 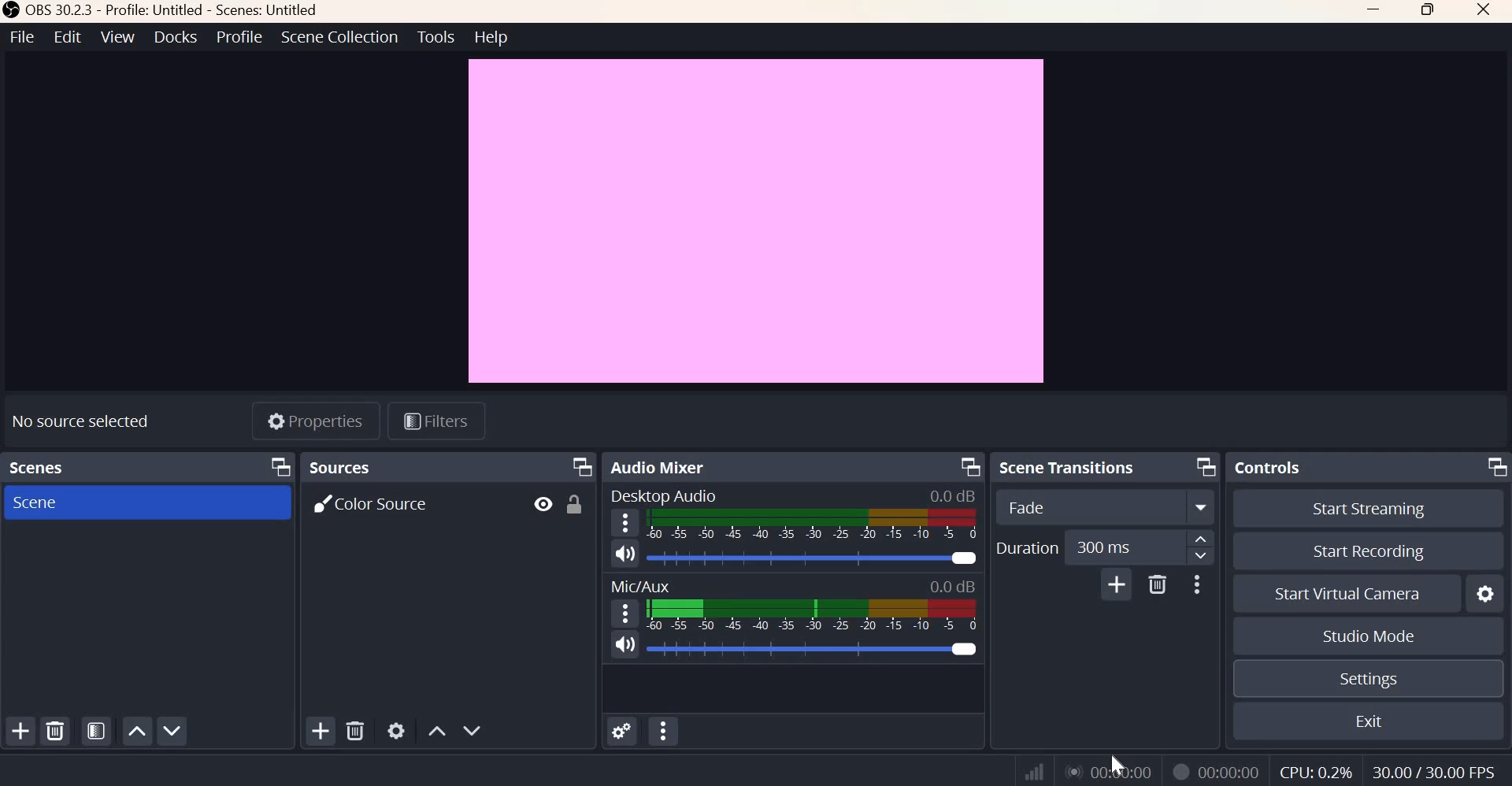 I want to click on Frame Rate (FPS), so click(x=1314, y=768).